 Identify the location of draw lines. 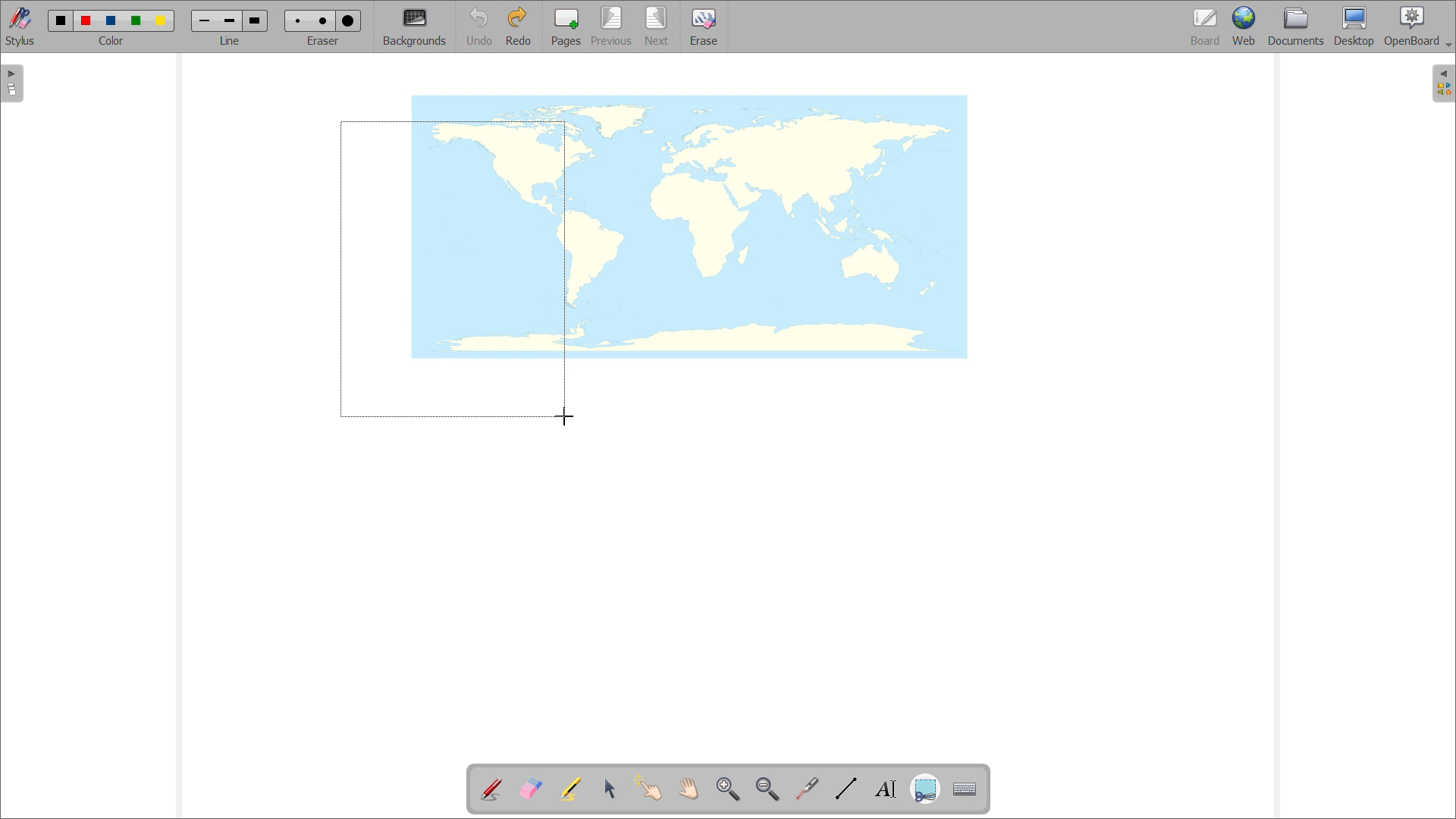
(846, 789).